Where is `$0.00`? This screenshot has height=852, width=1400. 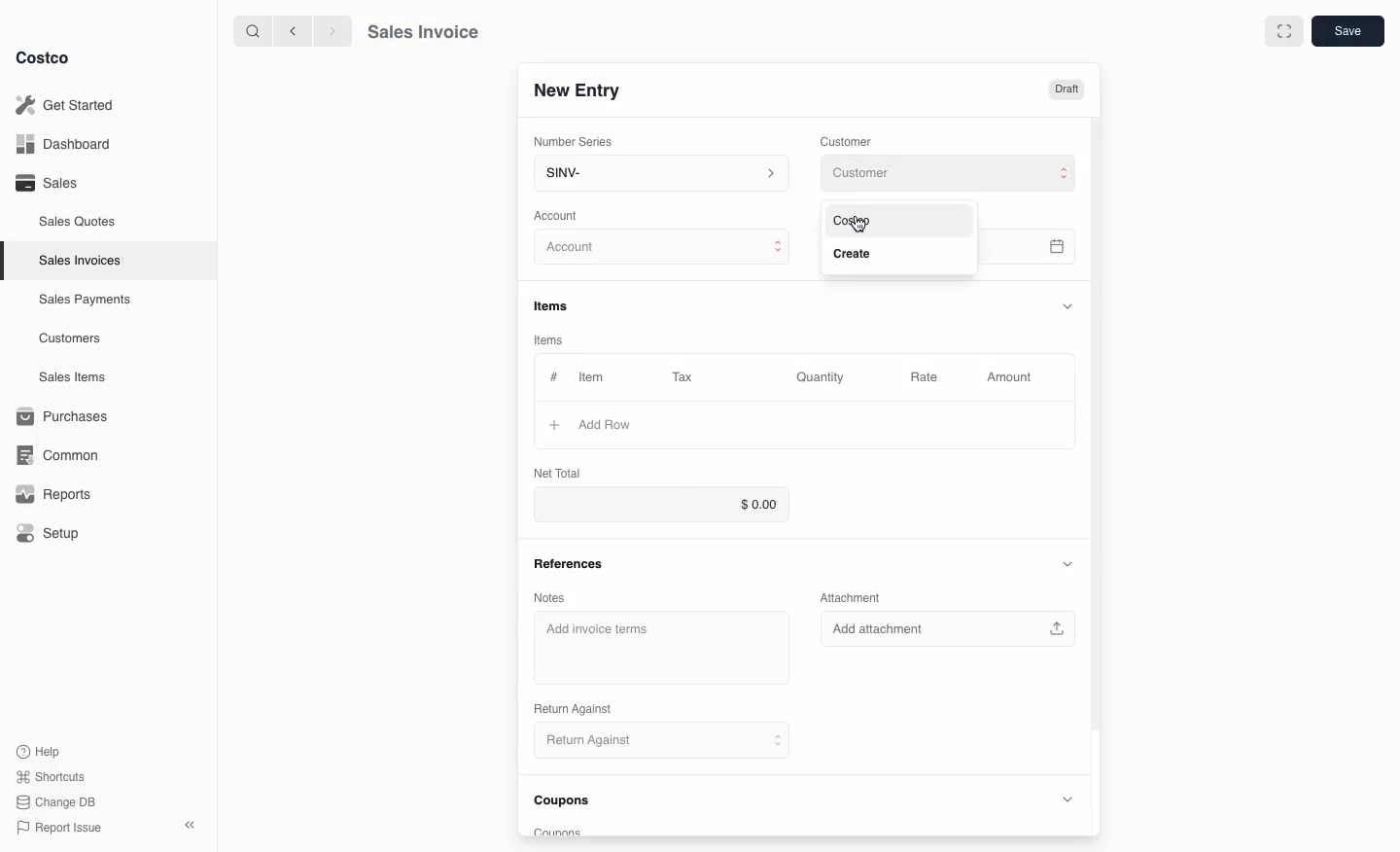
$0.00 is located at coordinates (657, 505).